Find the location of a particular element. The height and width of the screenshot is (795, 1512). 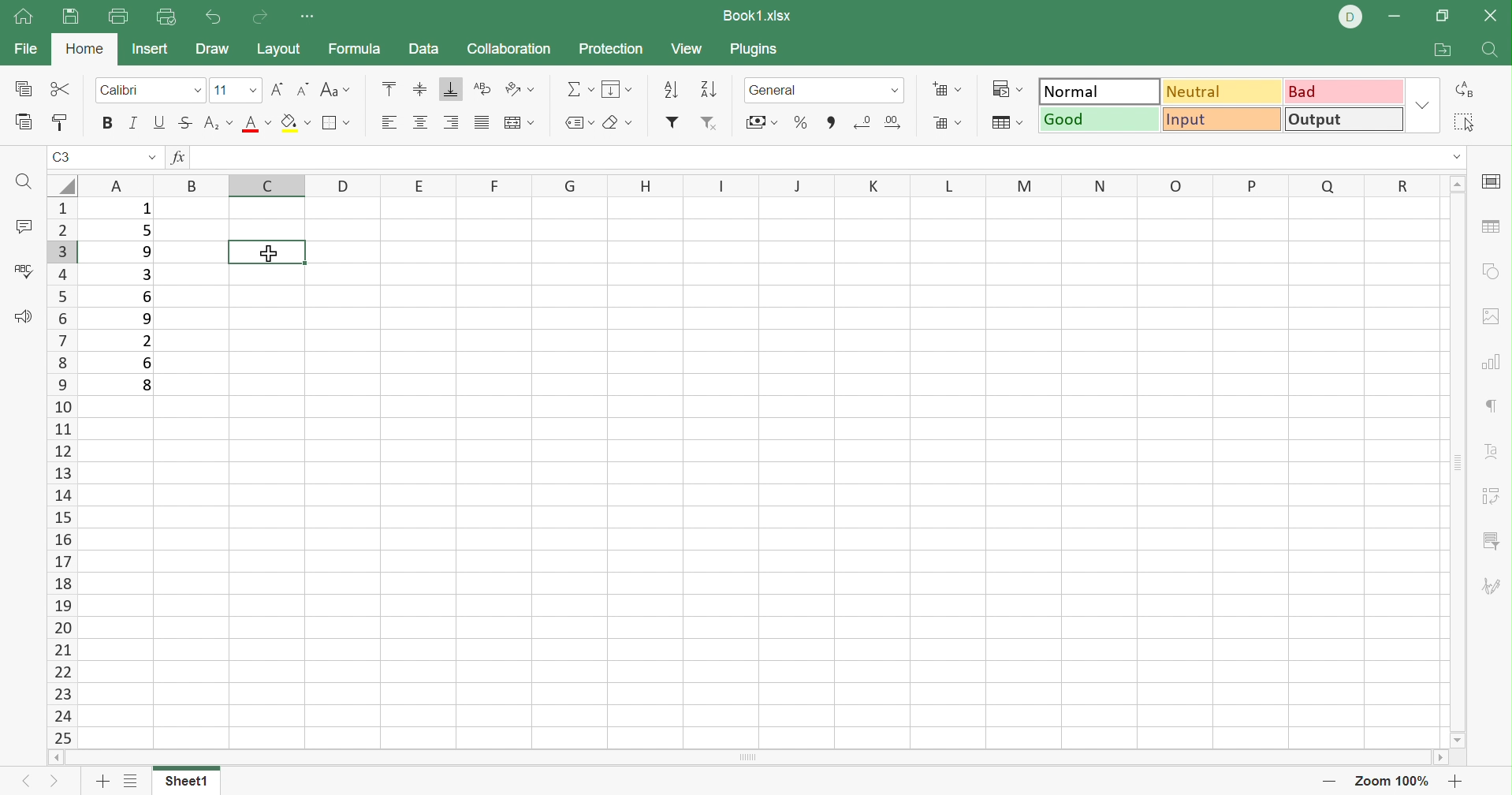

Output is located at coordinates (1343, 120).